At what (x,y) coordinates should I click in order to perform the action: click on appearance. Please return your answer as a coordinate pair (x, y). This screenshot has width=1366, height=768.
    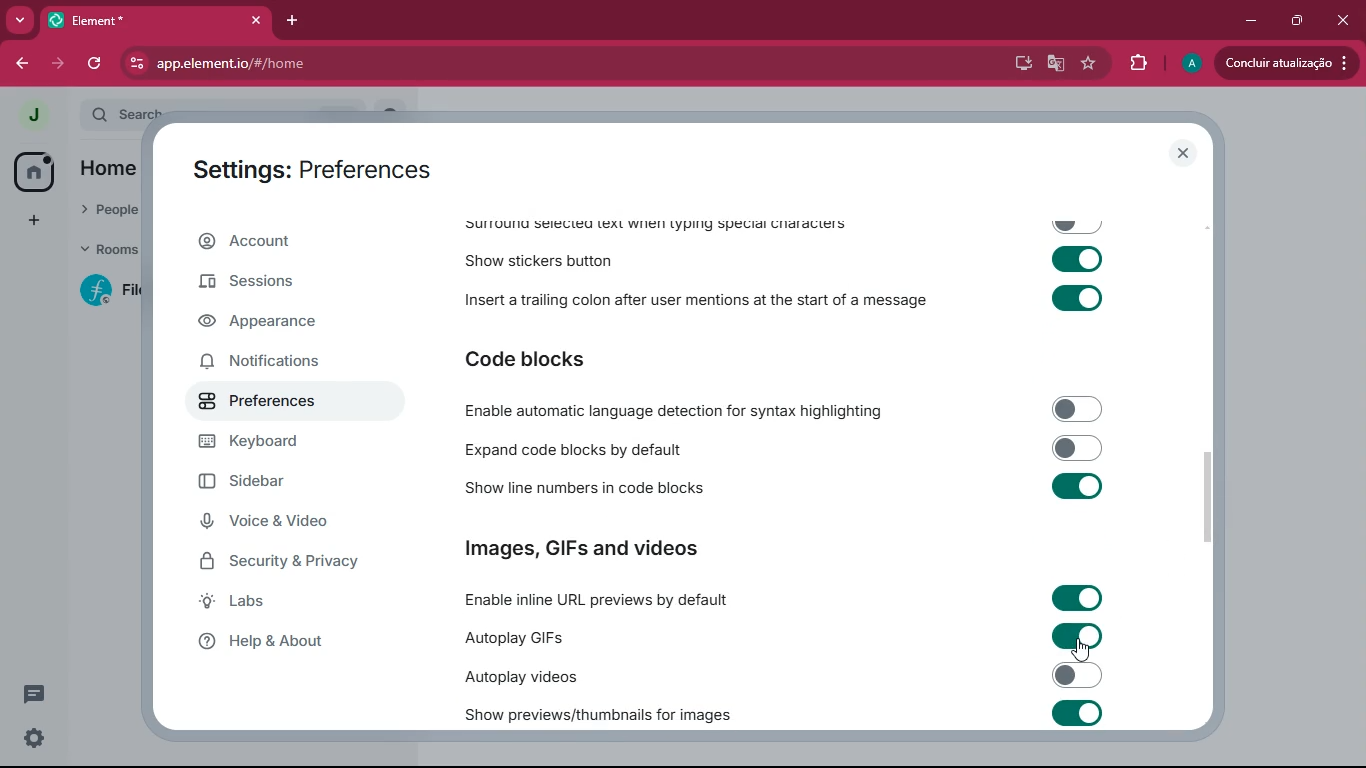
    Looking at the image, I should click on (271, 325).